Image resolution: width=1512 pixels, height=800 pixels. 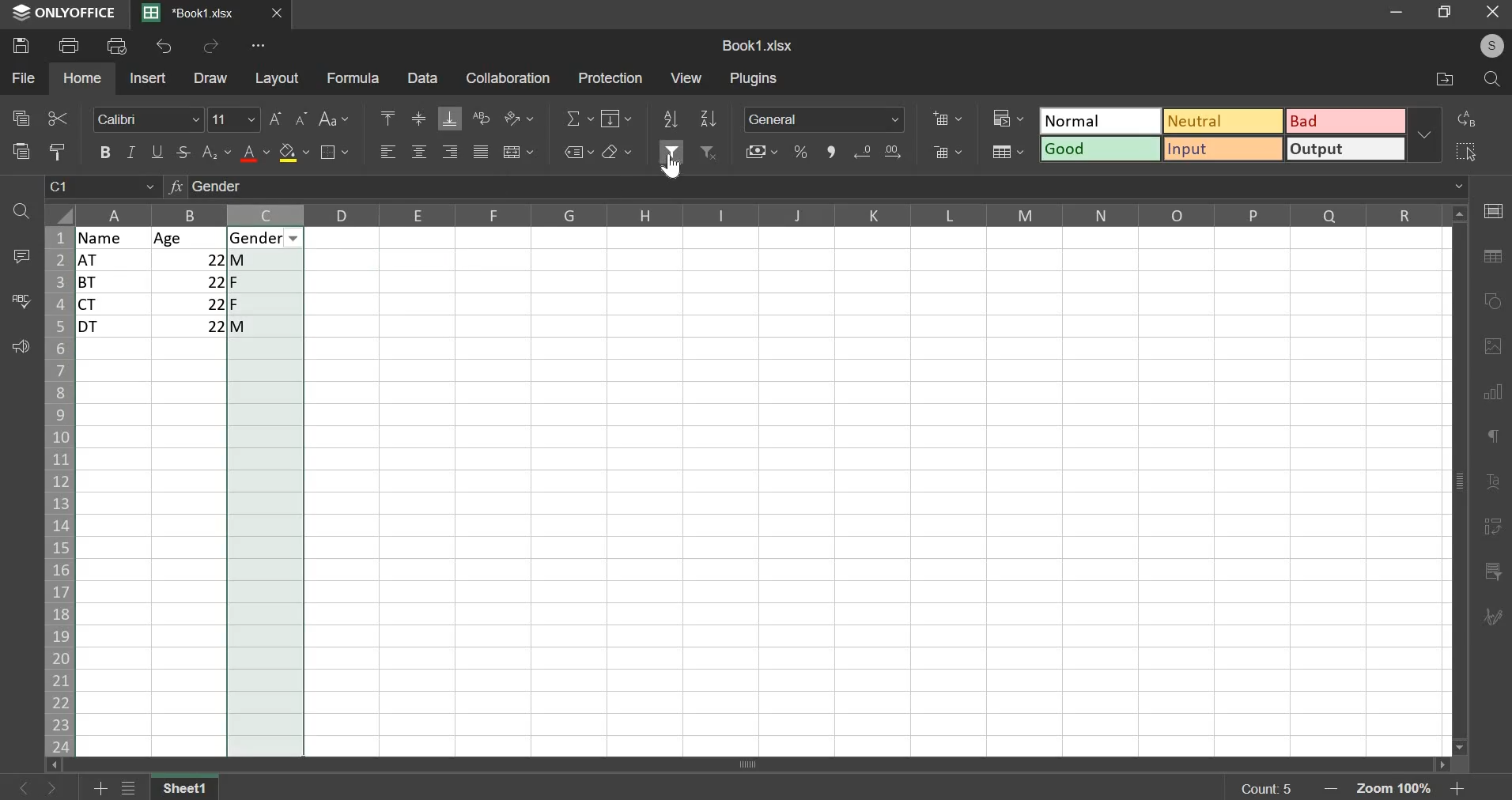 I want to click on next, so click(x=24, y=786).